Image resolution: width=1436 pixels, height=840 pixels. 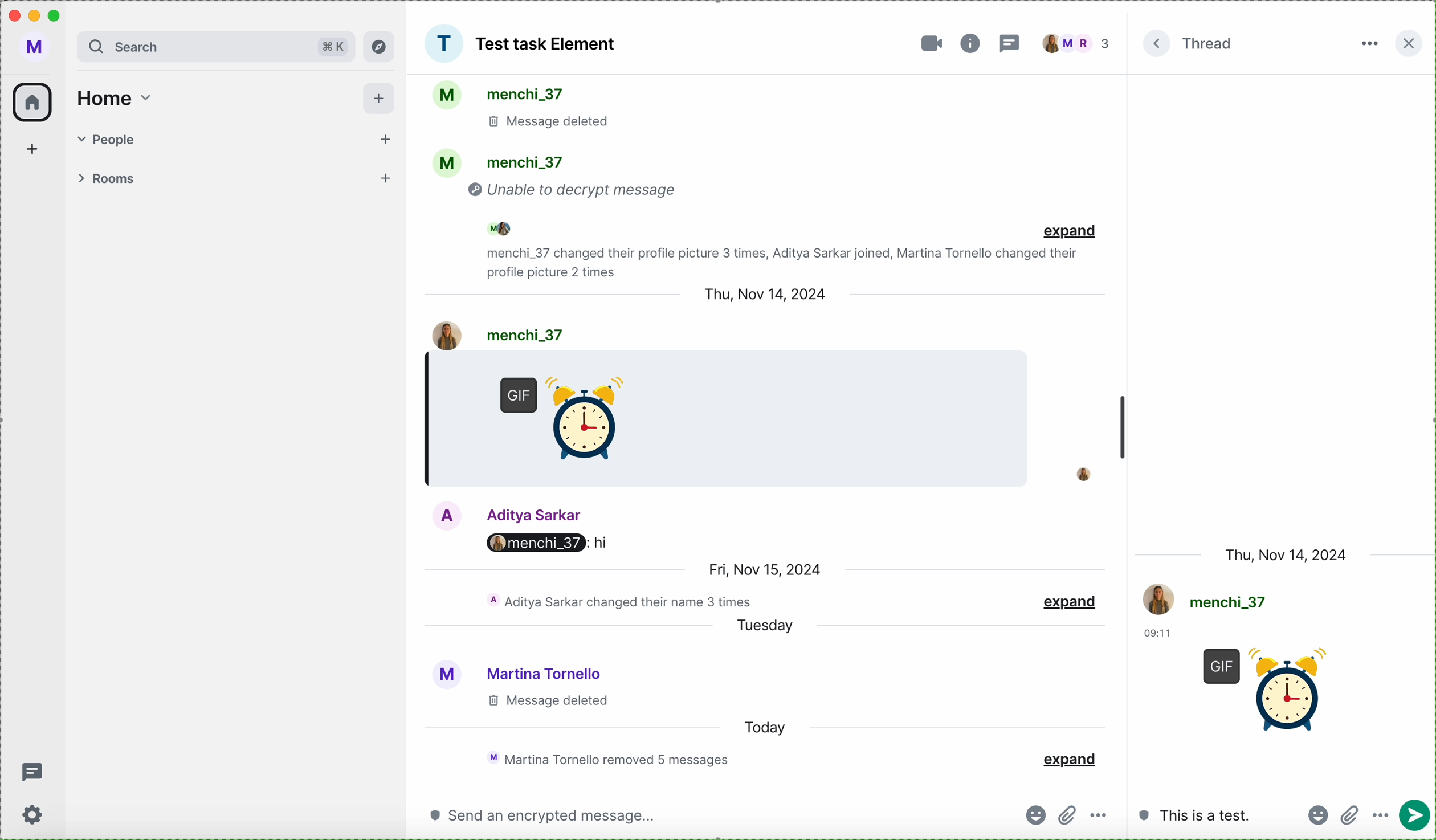 I want to click on close program, so click(x=13, y=15).